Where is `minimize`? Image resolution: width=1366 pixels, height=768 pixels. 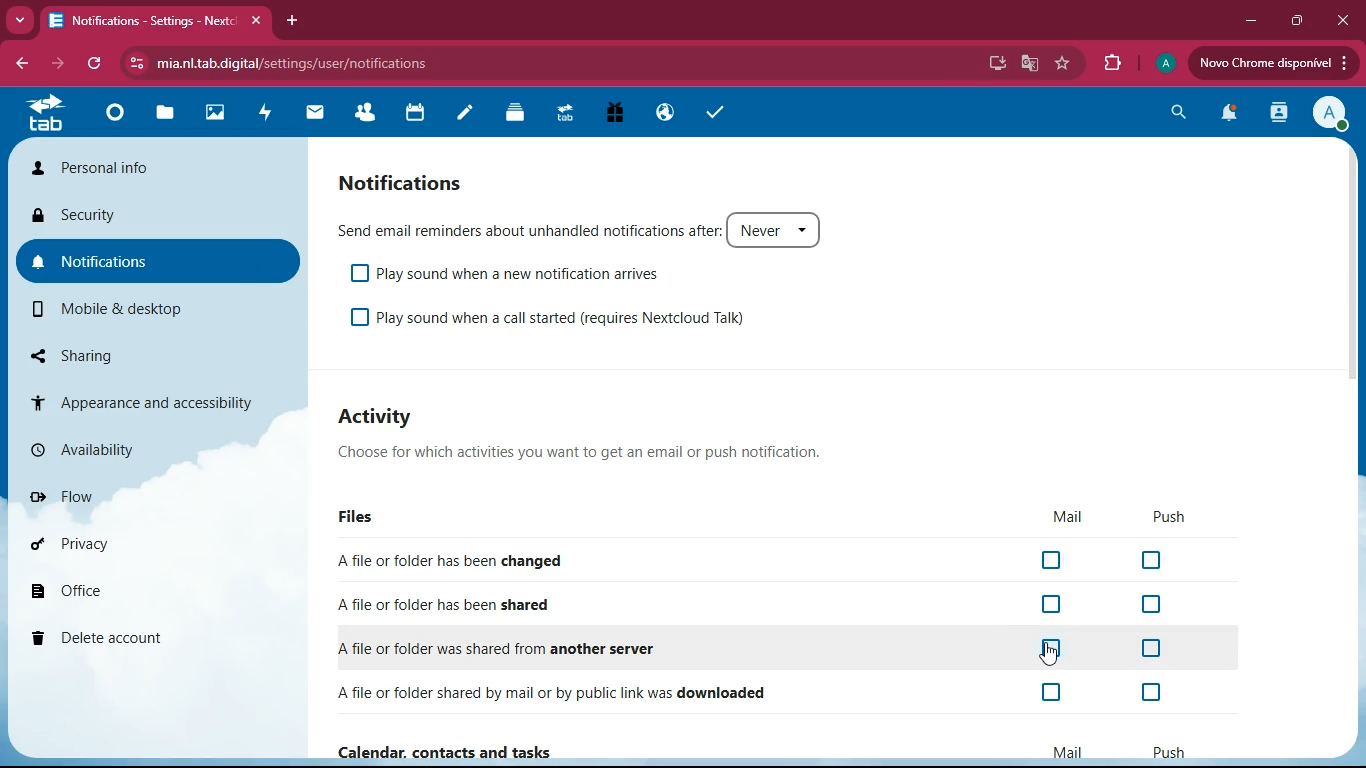
minimize is located at coordinates (1247, 25).